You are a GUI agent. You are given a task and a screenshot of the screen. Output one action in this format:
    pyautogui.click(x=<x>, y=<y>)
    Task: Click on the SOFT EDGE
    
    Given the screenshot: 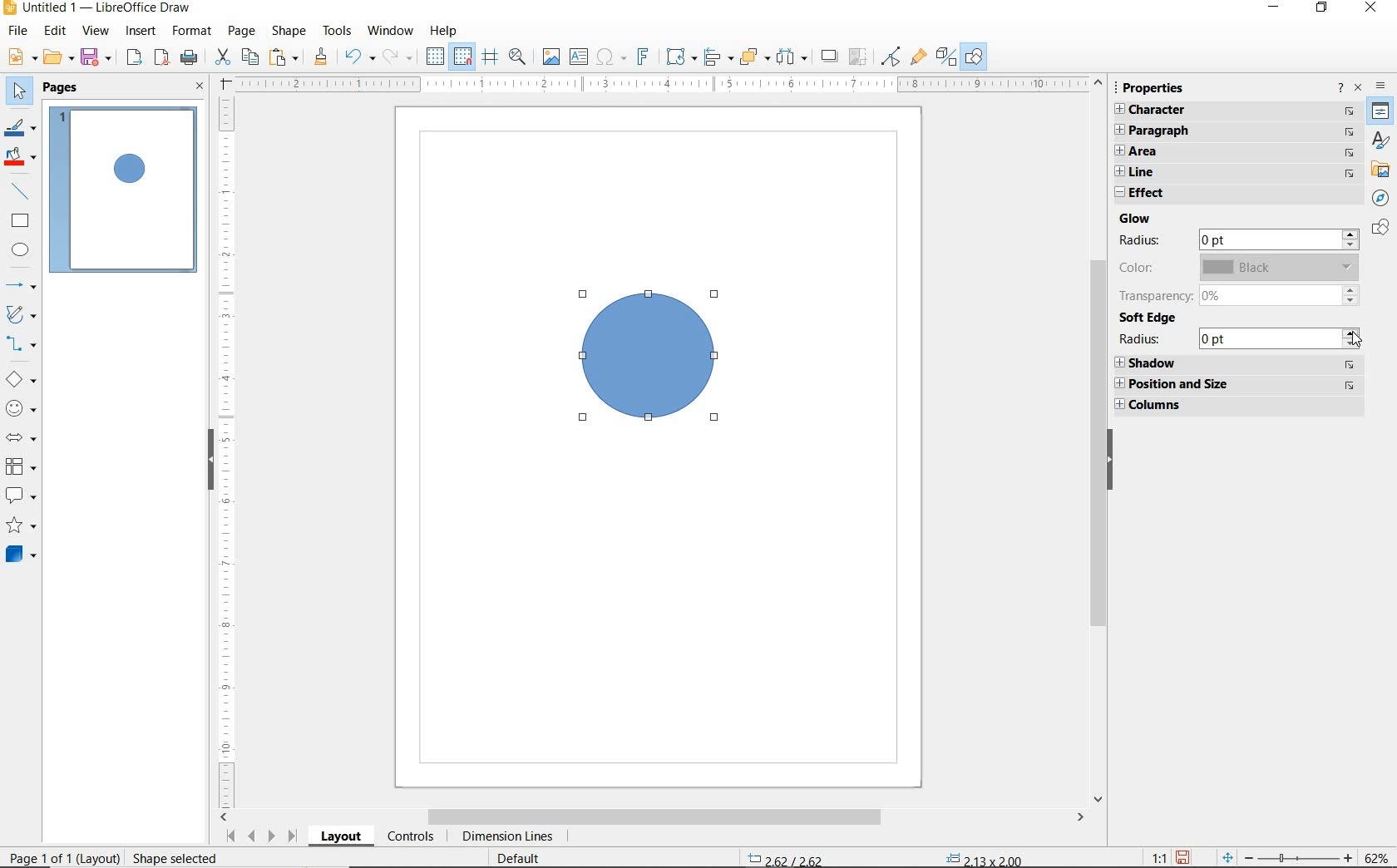 What is the action you would take?
    pyautogui.click(x=1148, y=318)
    